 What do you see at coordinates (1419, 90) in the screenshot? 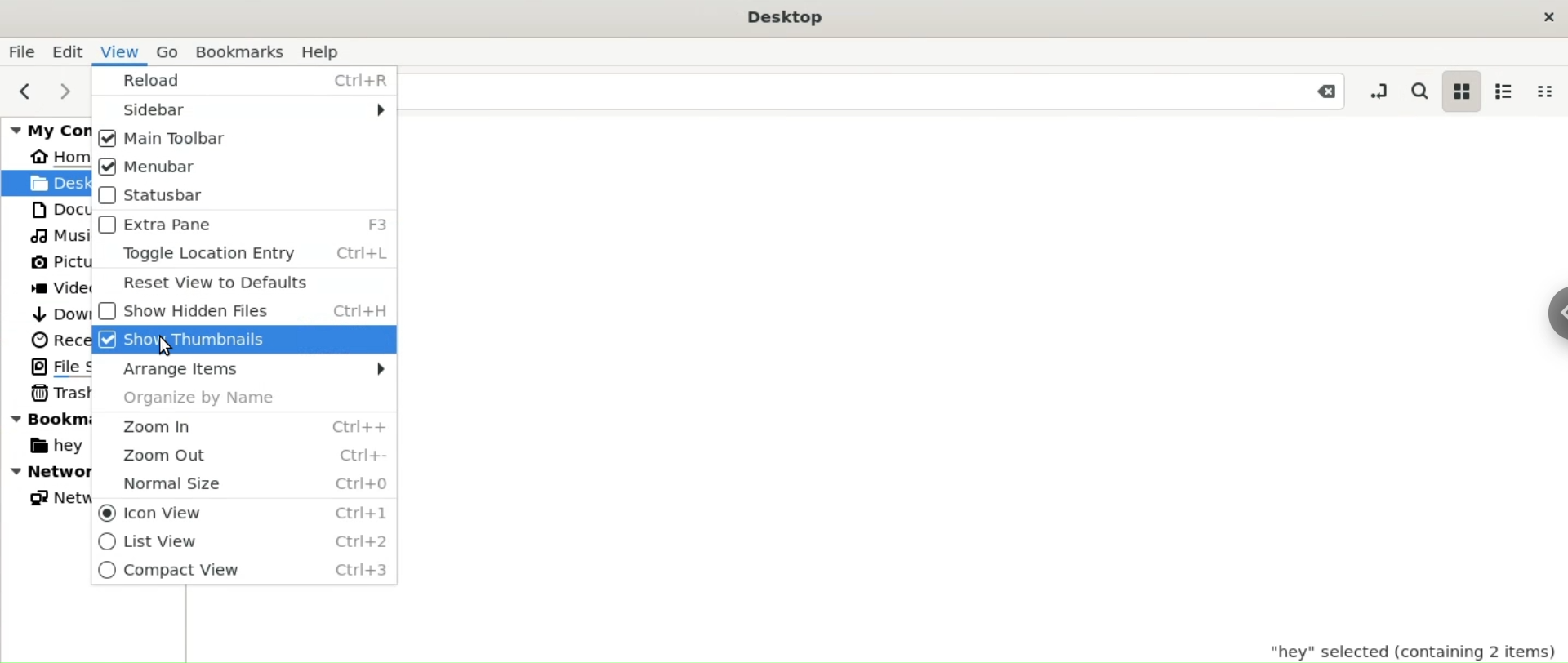
I see `search` at bounding box center [1419, 90].